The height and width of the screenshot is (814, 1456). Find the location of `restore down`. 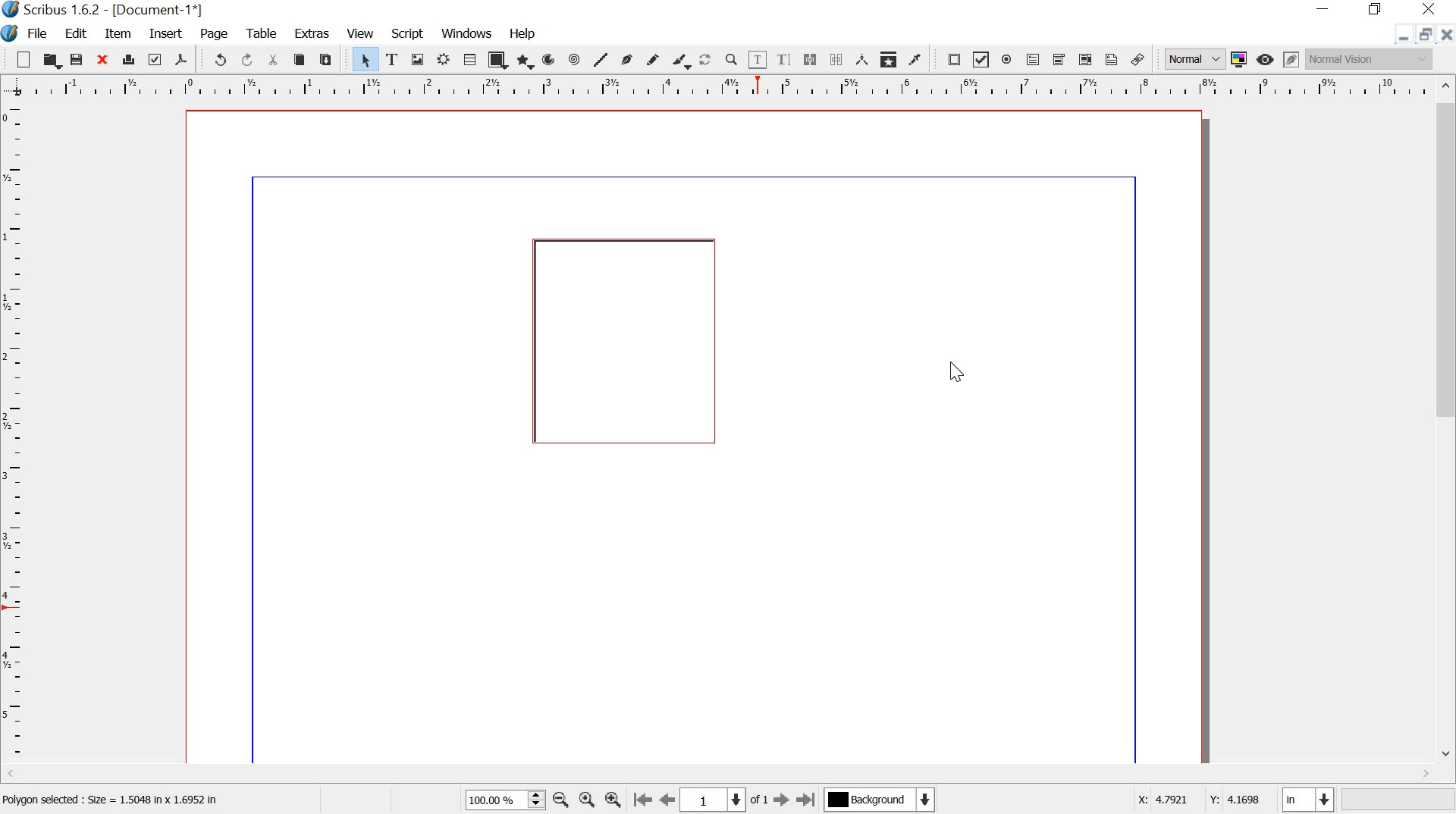

restore down is located at coordinates (1425, 34).